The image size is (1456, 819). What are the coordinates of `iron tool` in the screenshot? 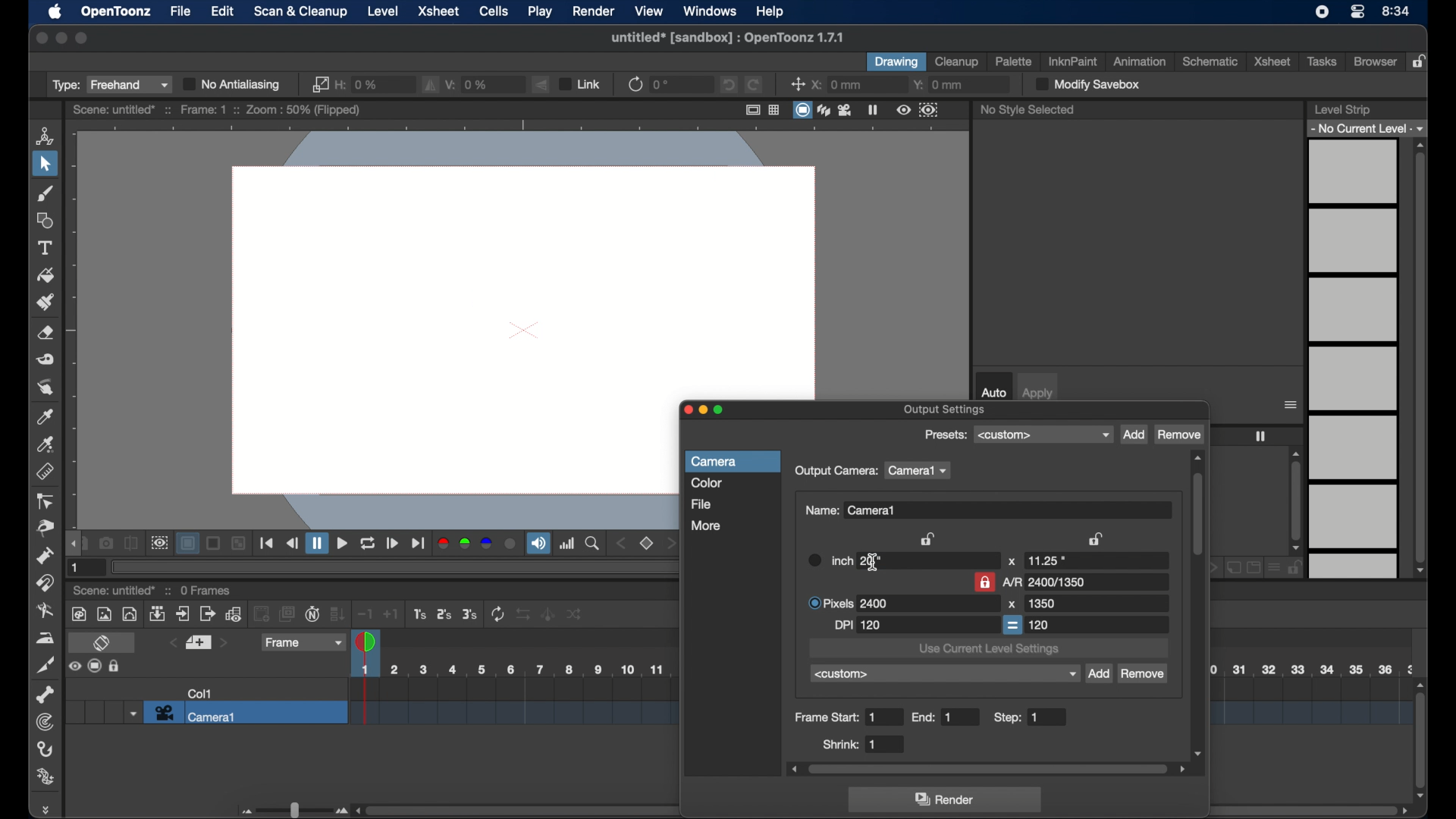 It's located at (45, 638).